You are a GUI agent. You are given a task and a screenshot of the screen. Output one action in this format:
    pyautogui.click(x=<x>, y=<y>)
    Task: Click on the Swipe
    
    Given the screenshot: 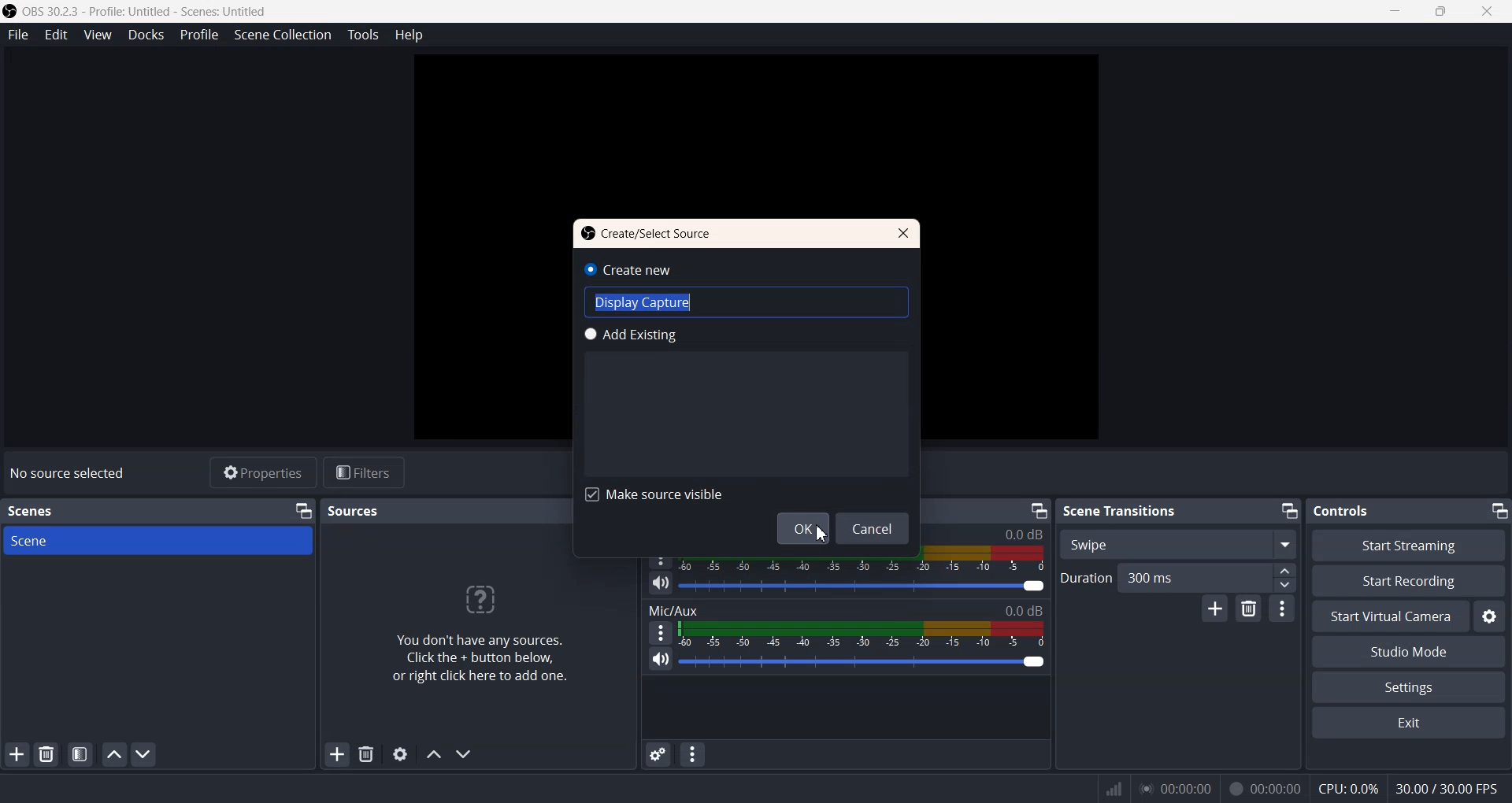 What is the action you would take?
    pyautogui.click(x=1179, y=543)
    